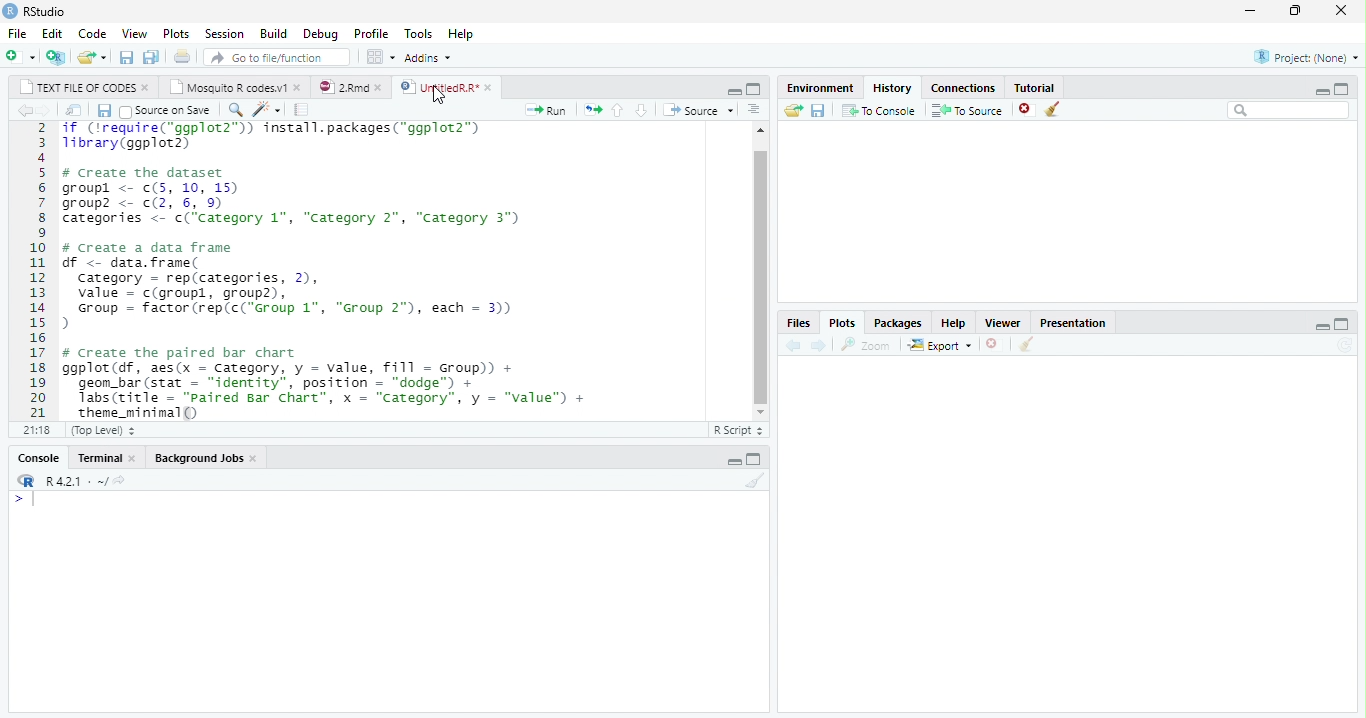  I want to click on build, so click(273, 31).